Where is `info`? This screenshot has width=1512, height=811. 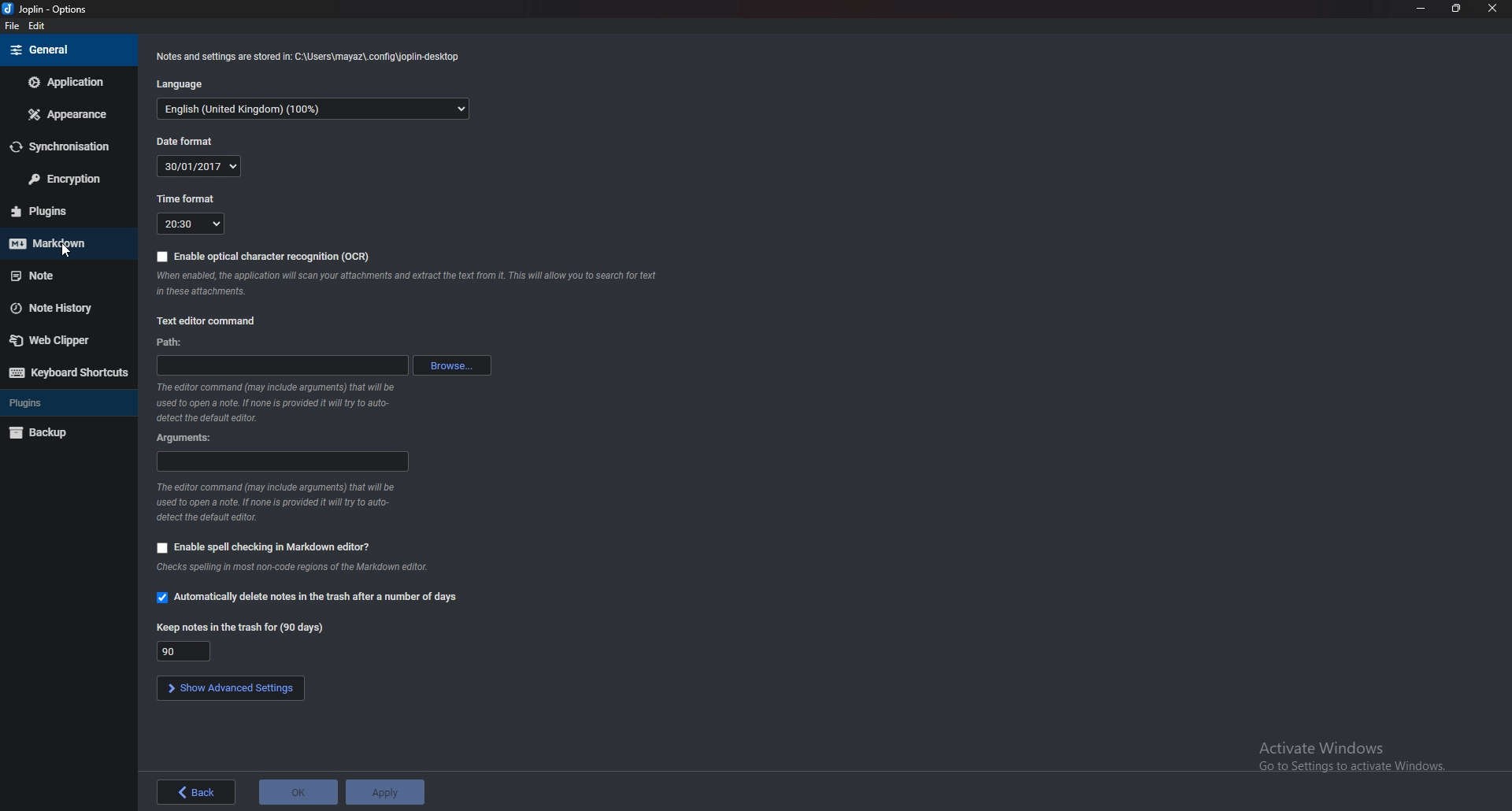
info is located at coordinates (298, 568).